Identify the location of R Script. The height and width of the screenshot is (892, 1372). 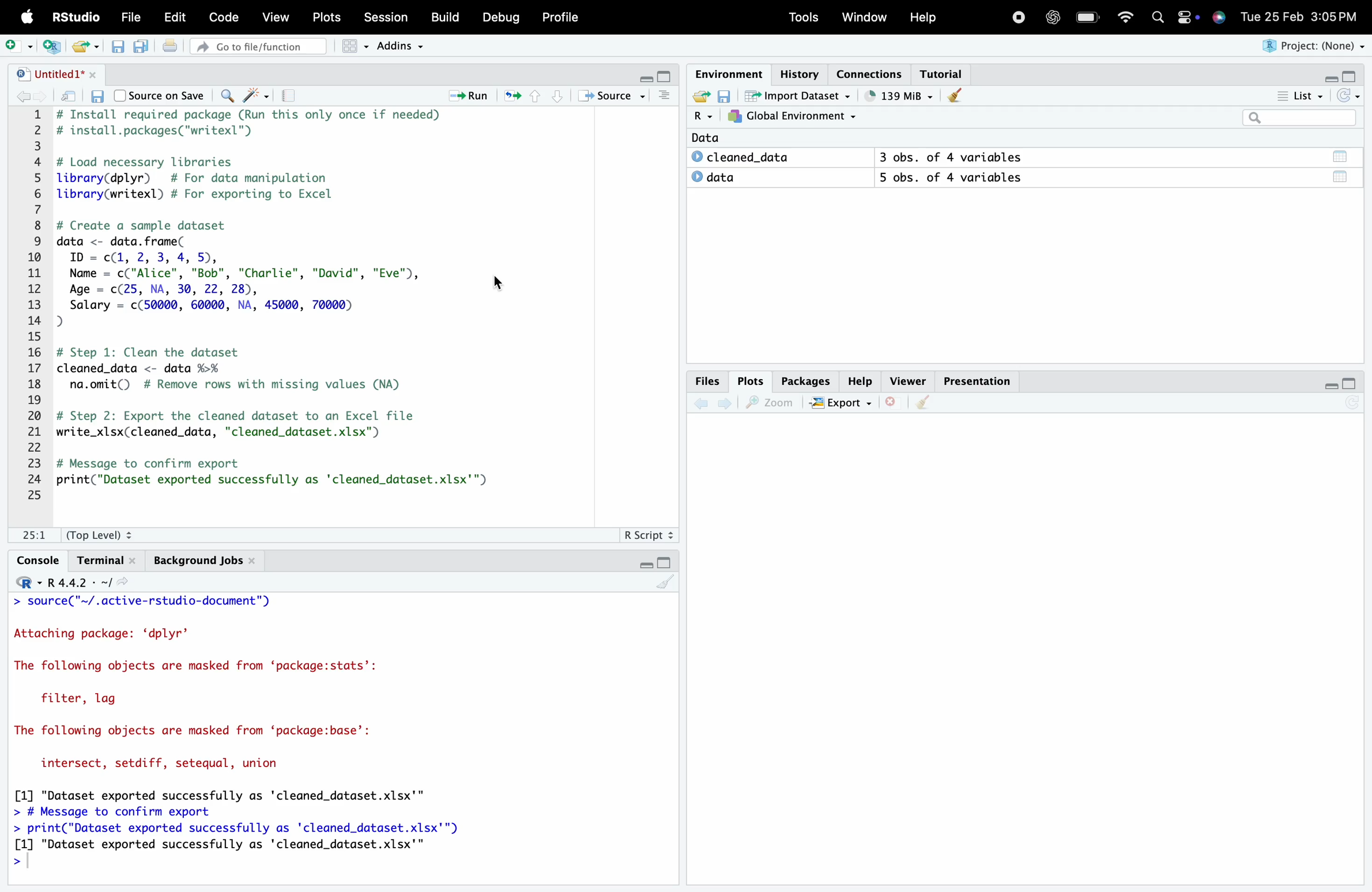
(649, 533).